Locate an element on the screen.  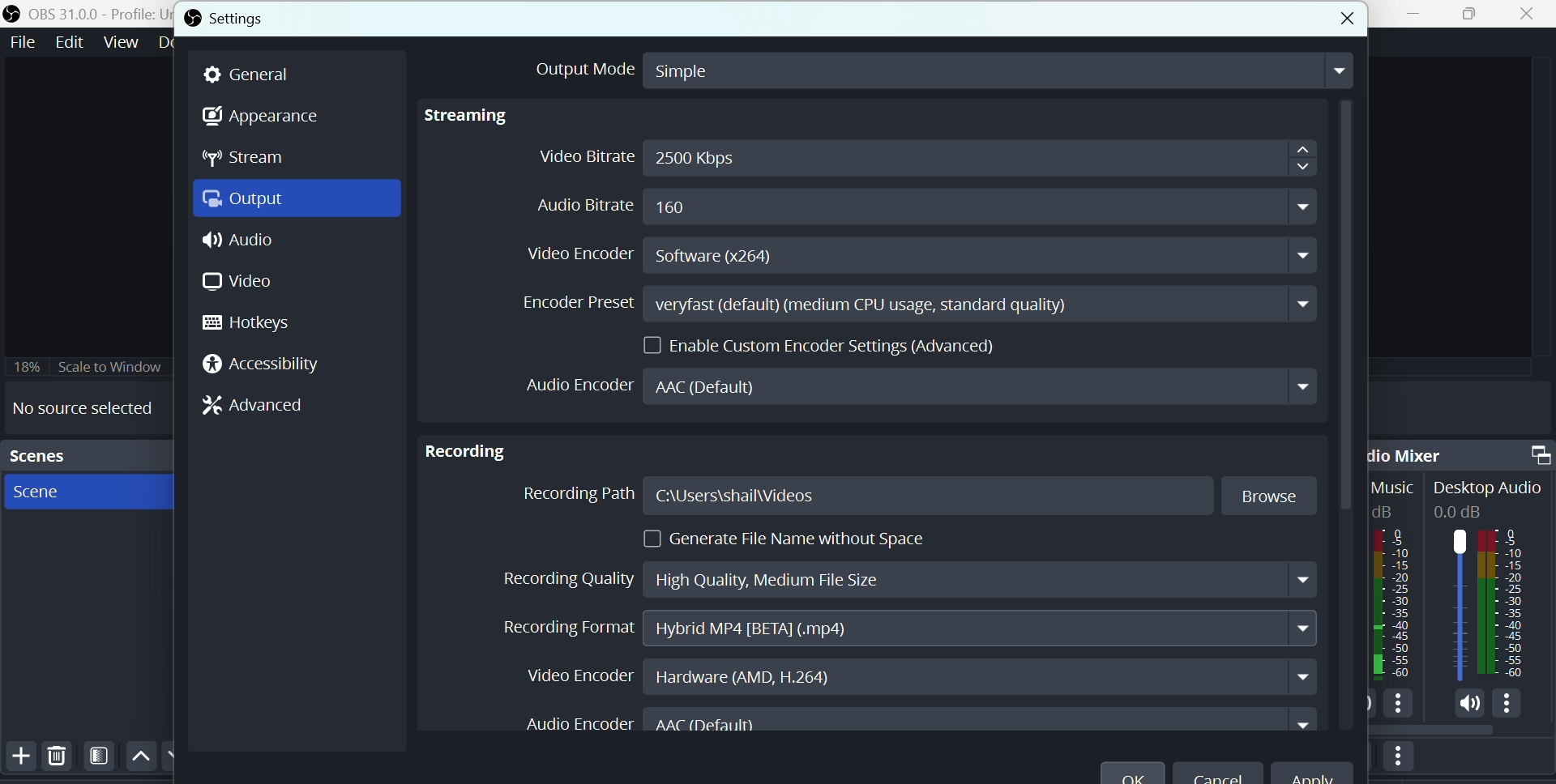
Close is located at coordinates (1531, 15).